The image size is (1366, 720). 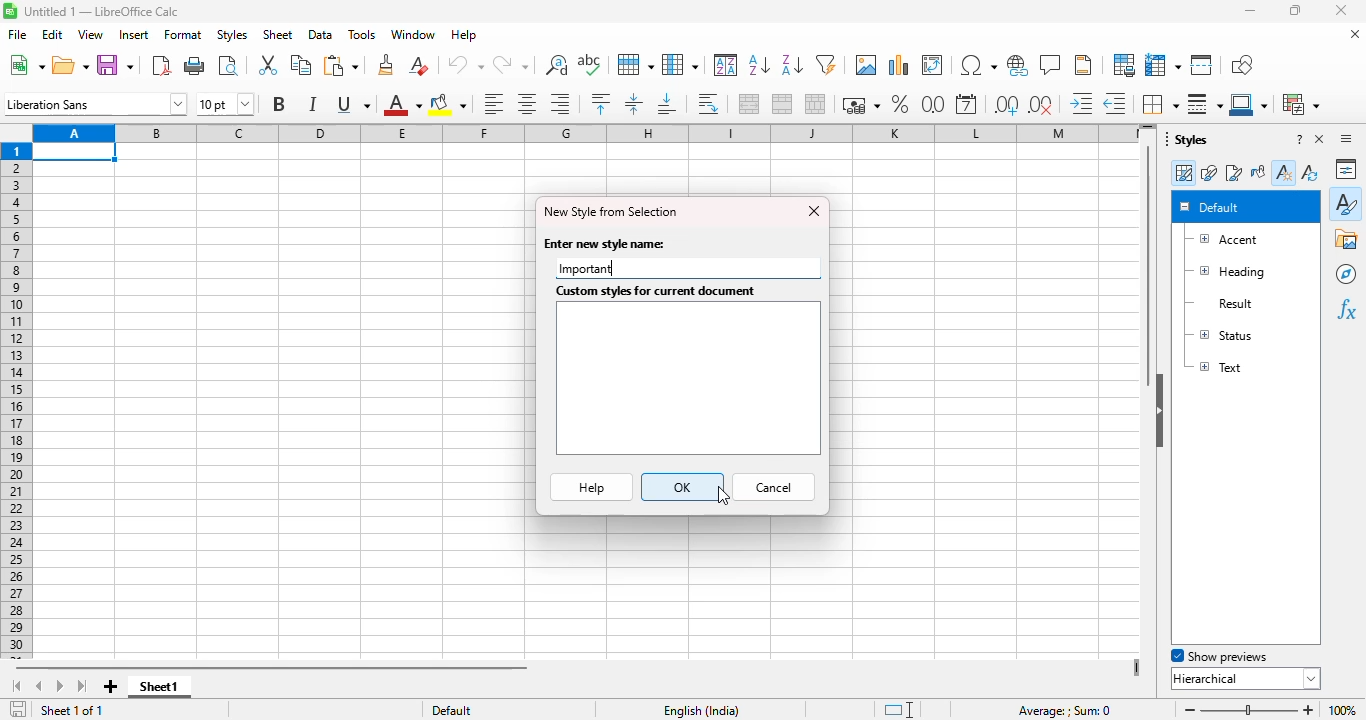 I want to click on italic, so click(x=311, y=104).